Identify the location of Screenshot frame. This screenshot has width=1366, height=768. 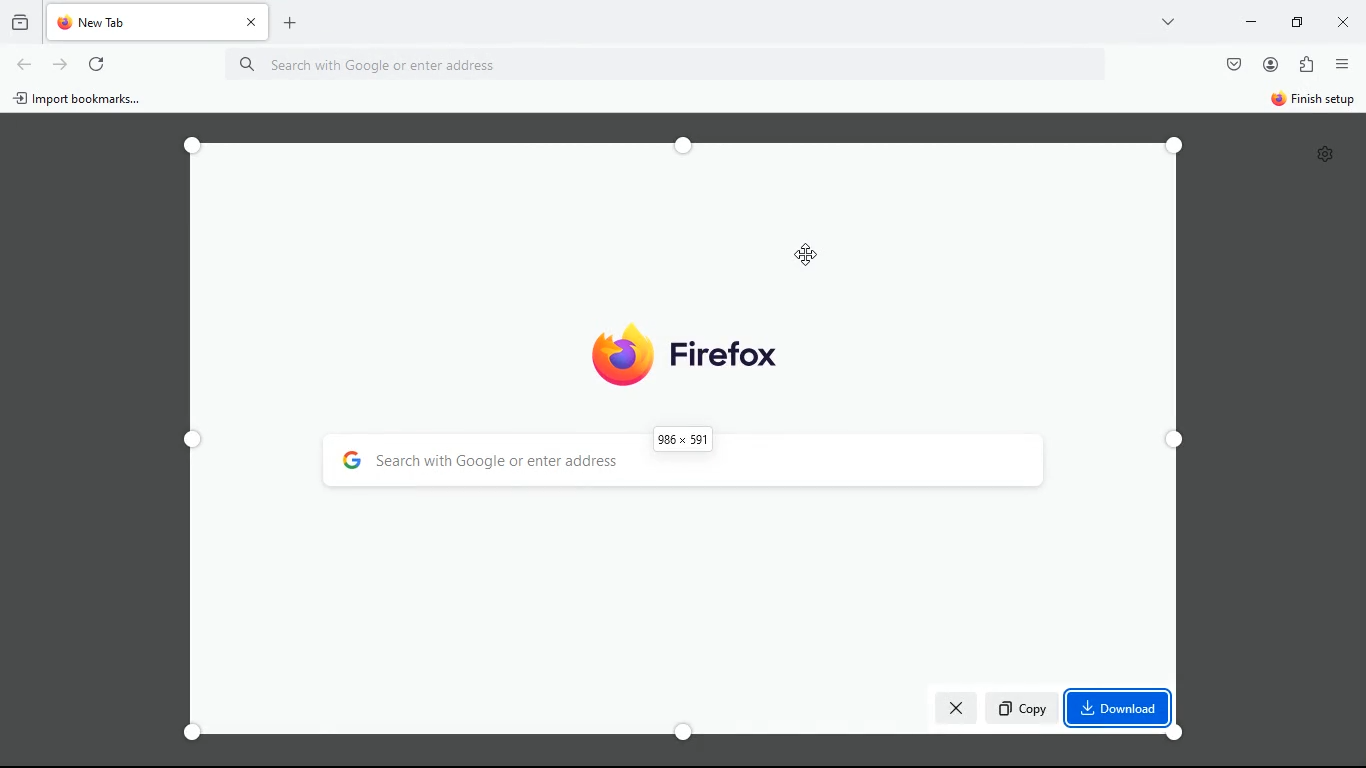
(692, 444).